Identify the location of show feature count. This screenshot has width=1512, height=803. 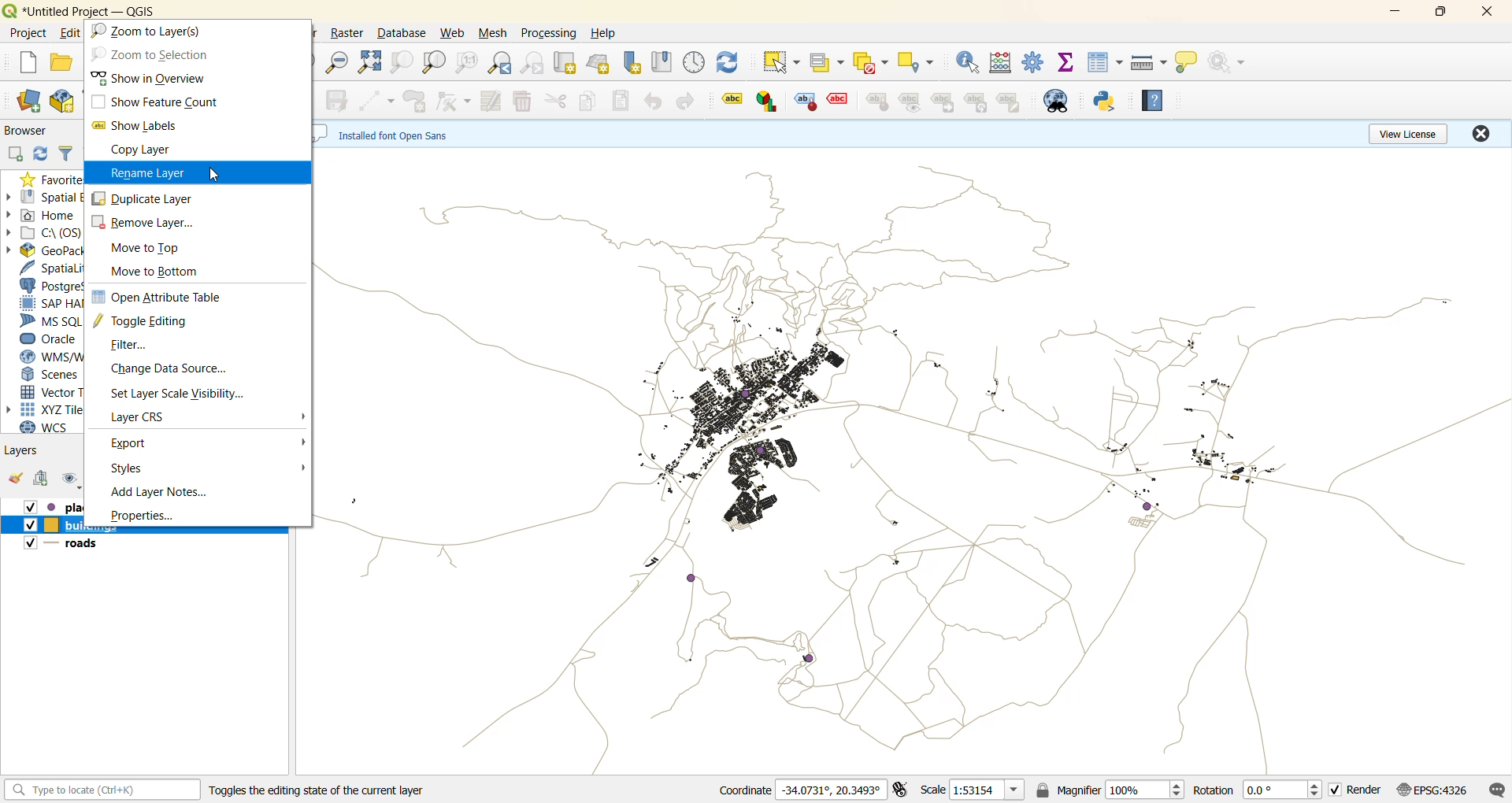
(157, 103).